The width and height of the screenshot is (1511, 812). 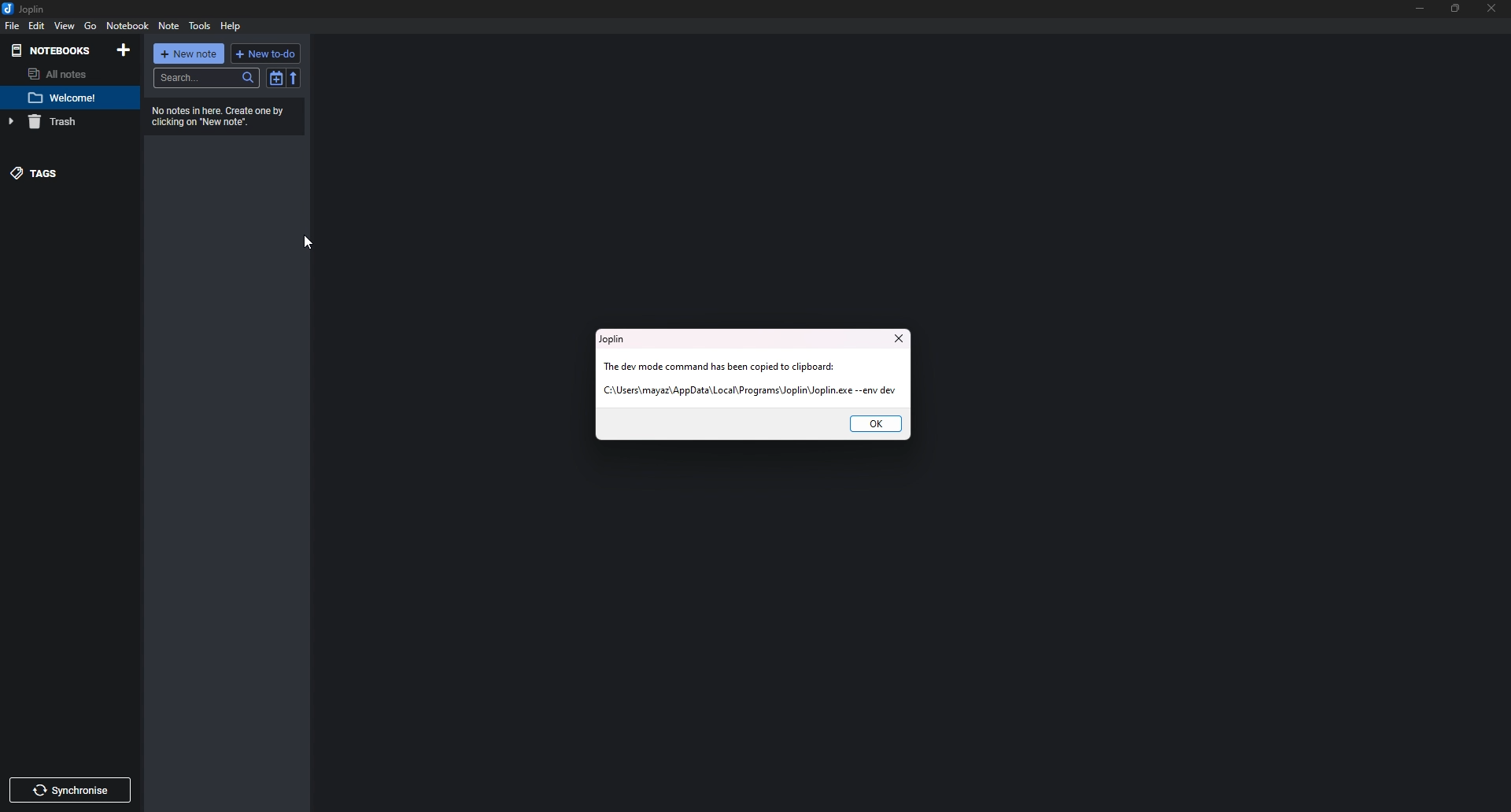 What do you see at coordinates (64, 173) in the screenshot?
I see `tags` at bounding box center [64, 173].